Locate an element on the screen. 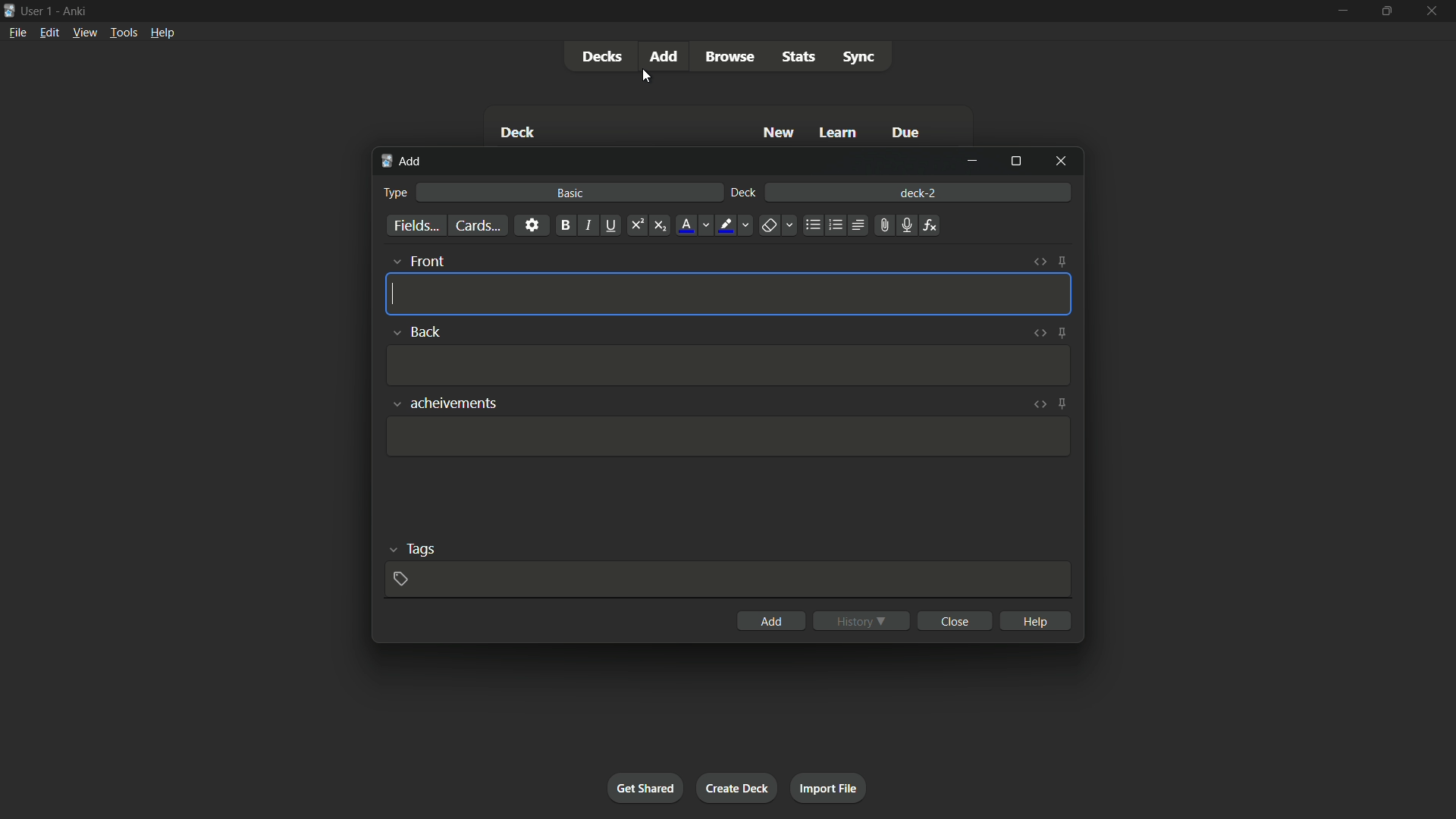 This screenshot has width=1456, height=819. toggle html editor is located at coordinates (1039, 405).